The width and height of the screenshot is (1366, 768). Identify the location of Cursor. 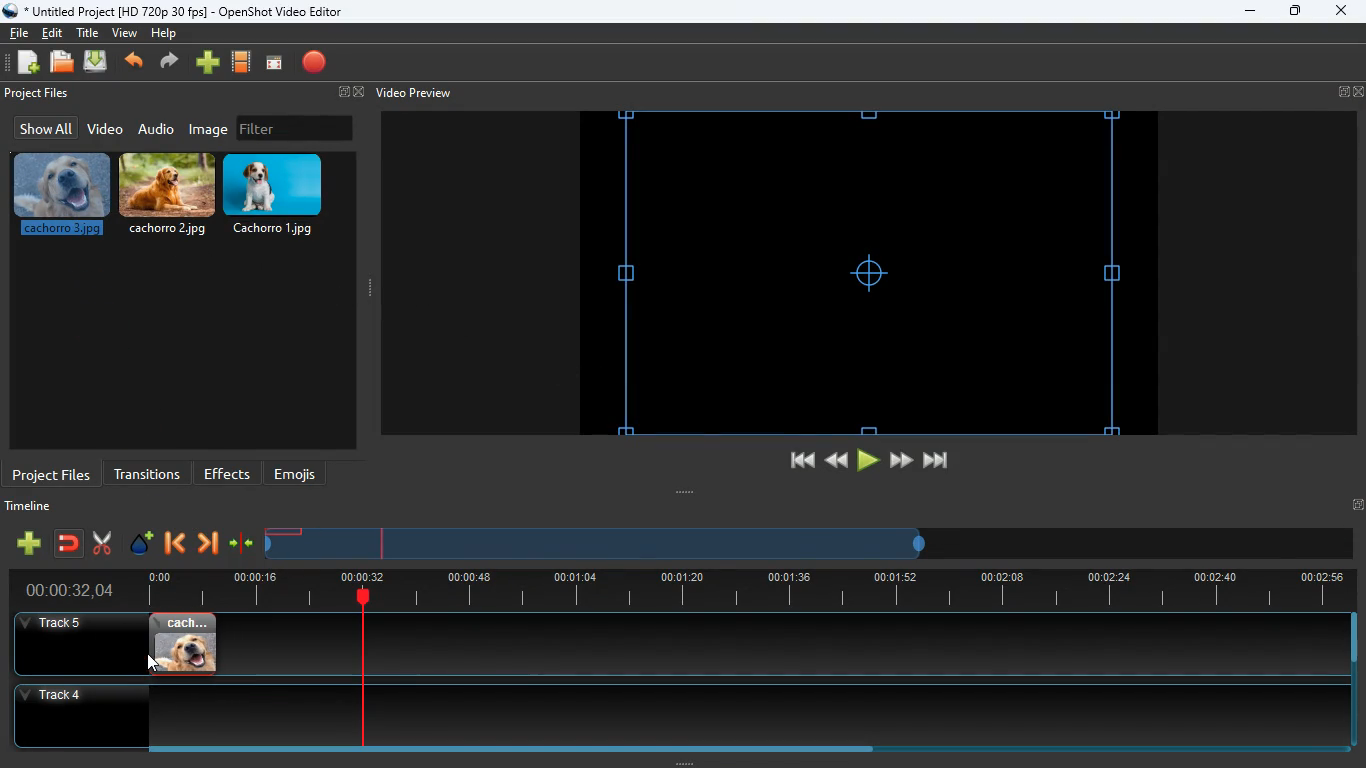
(154, 663).